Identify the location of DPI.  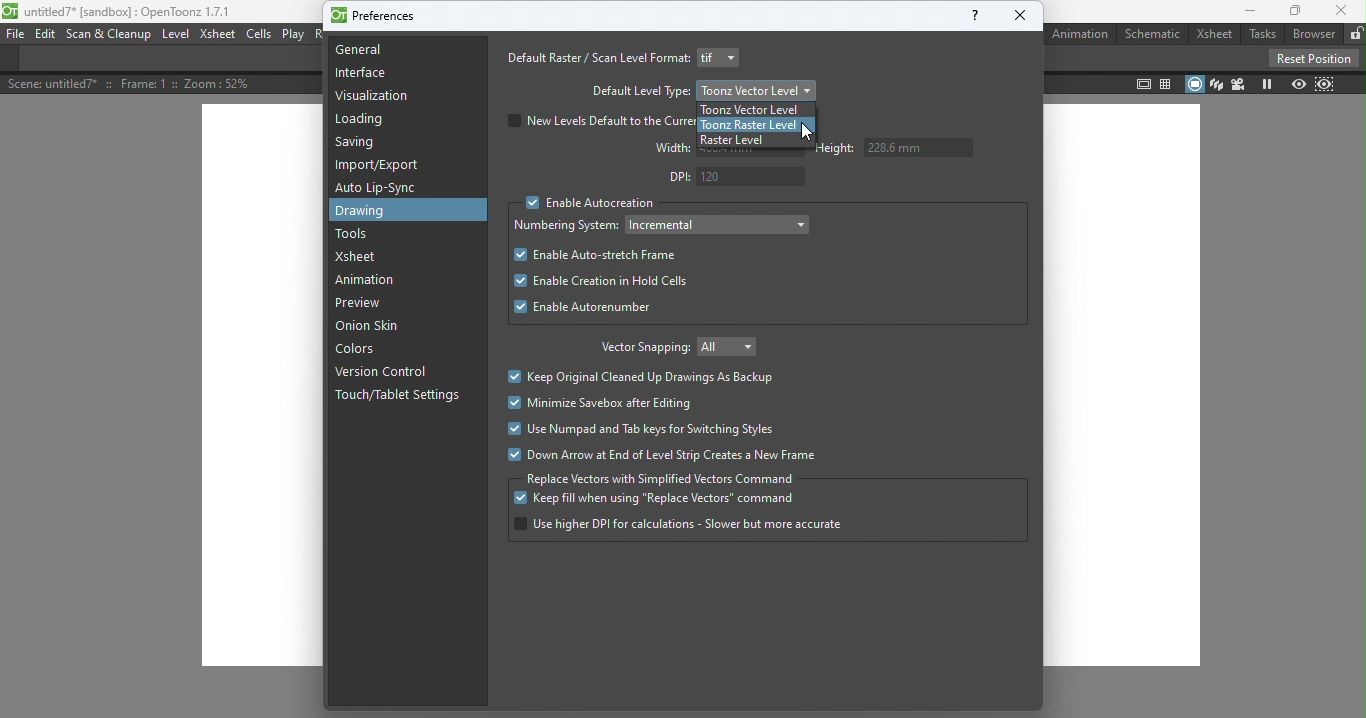
(734, 177).